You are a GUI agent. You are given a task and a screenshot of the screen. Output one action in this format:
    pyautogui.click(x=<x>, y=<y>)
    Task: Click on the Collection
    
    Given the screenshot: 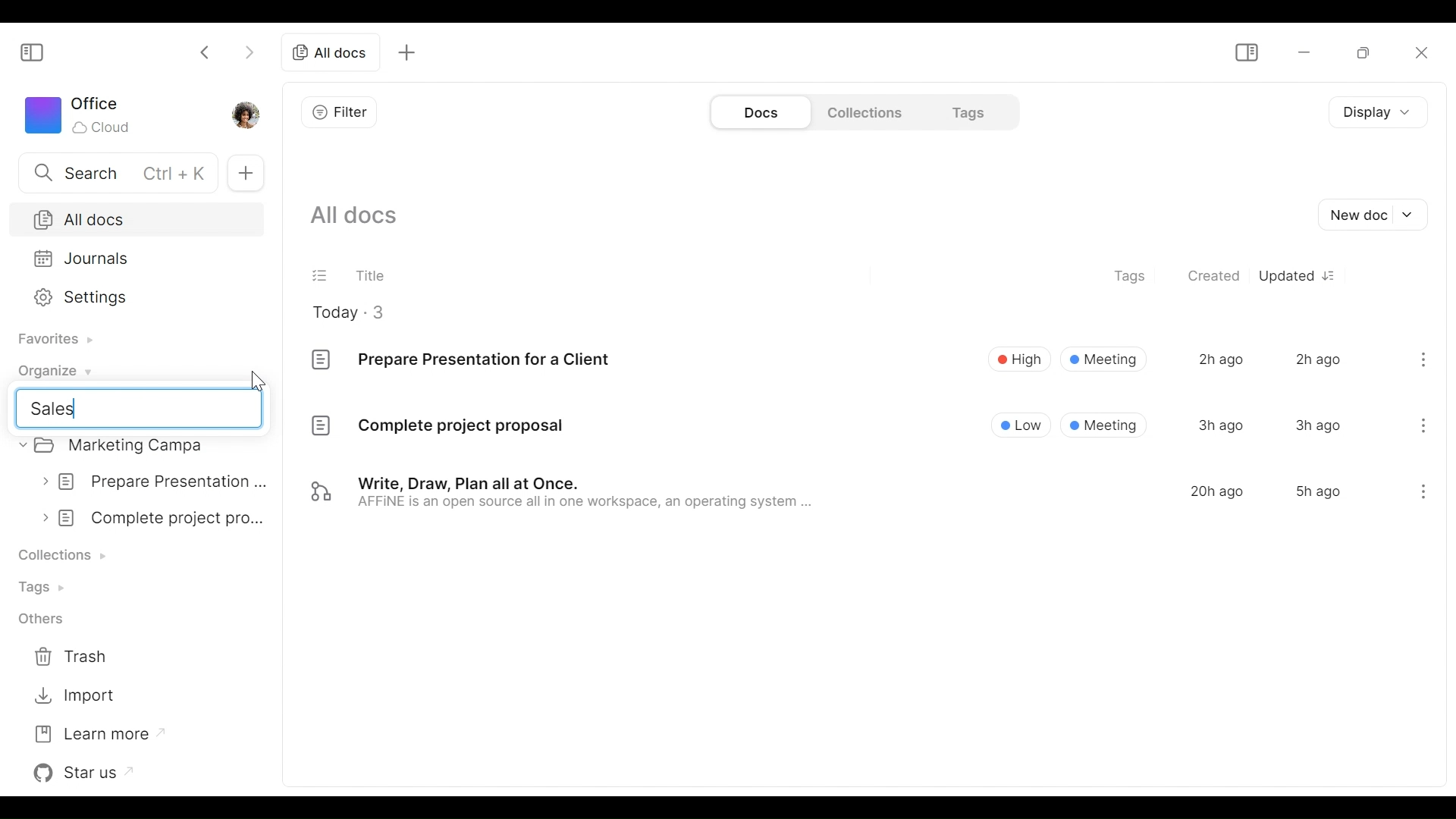 What is the action you would take?
    pyautogui.click(x=70, y=552)
    